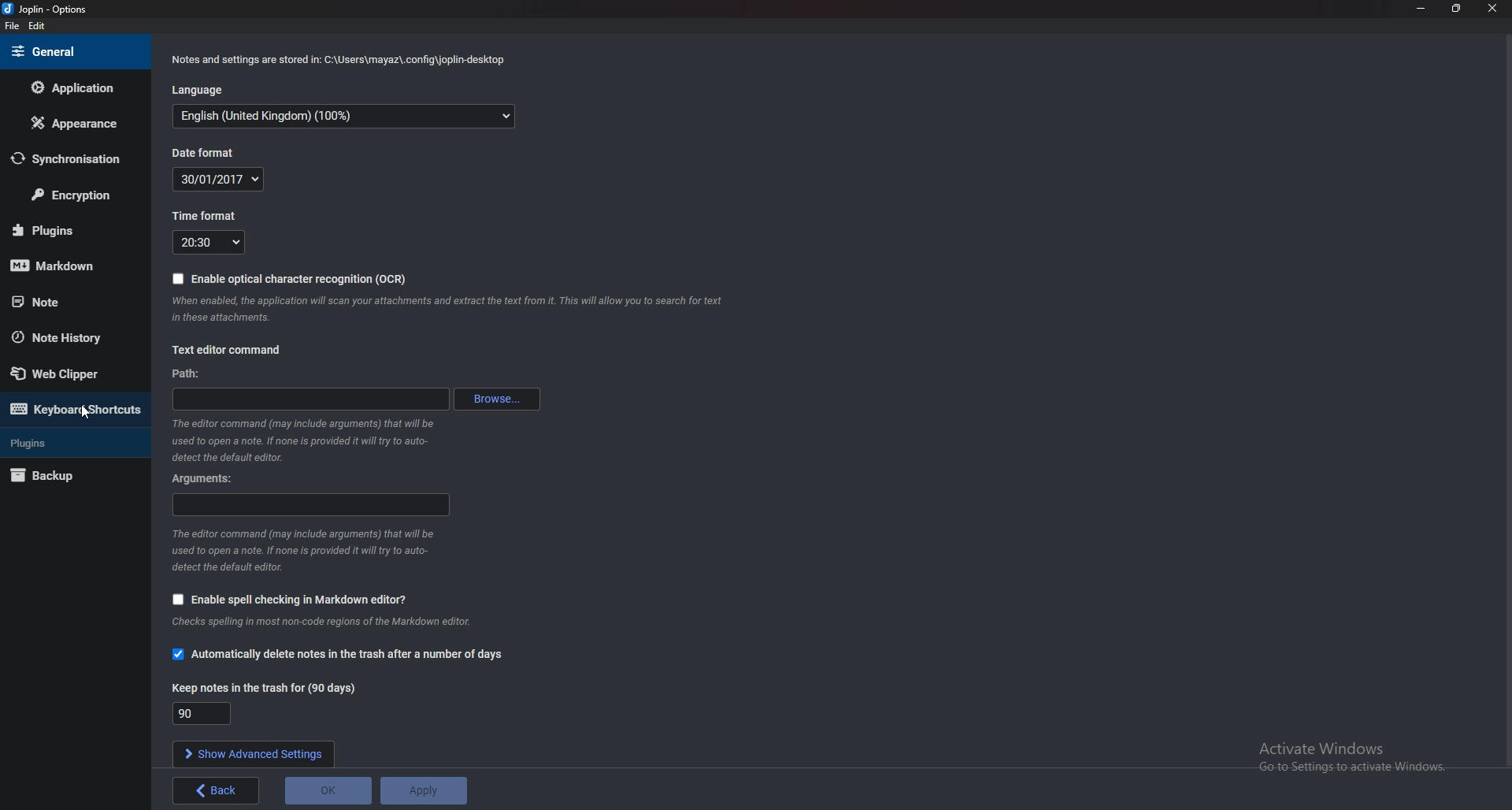 This screenshot has width=1512, height=810. I want to click on Notes and settings are stored in: C:\Users\mayaz\.config\joplin-desktop, so click(341, 60).